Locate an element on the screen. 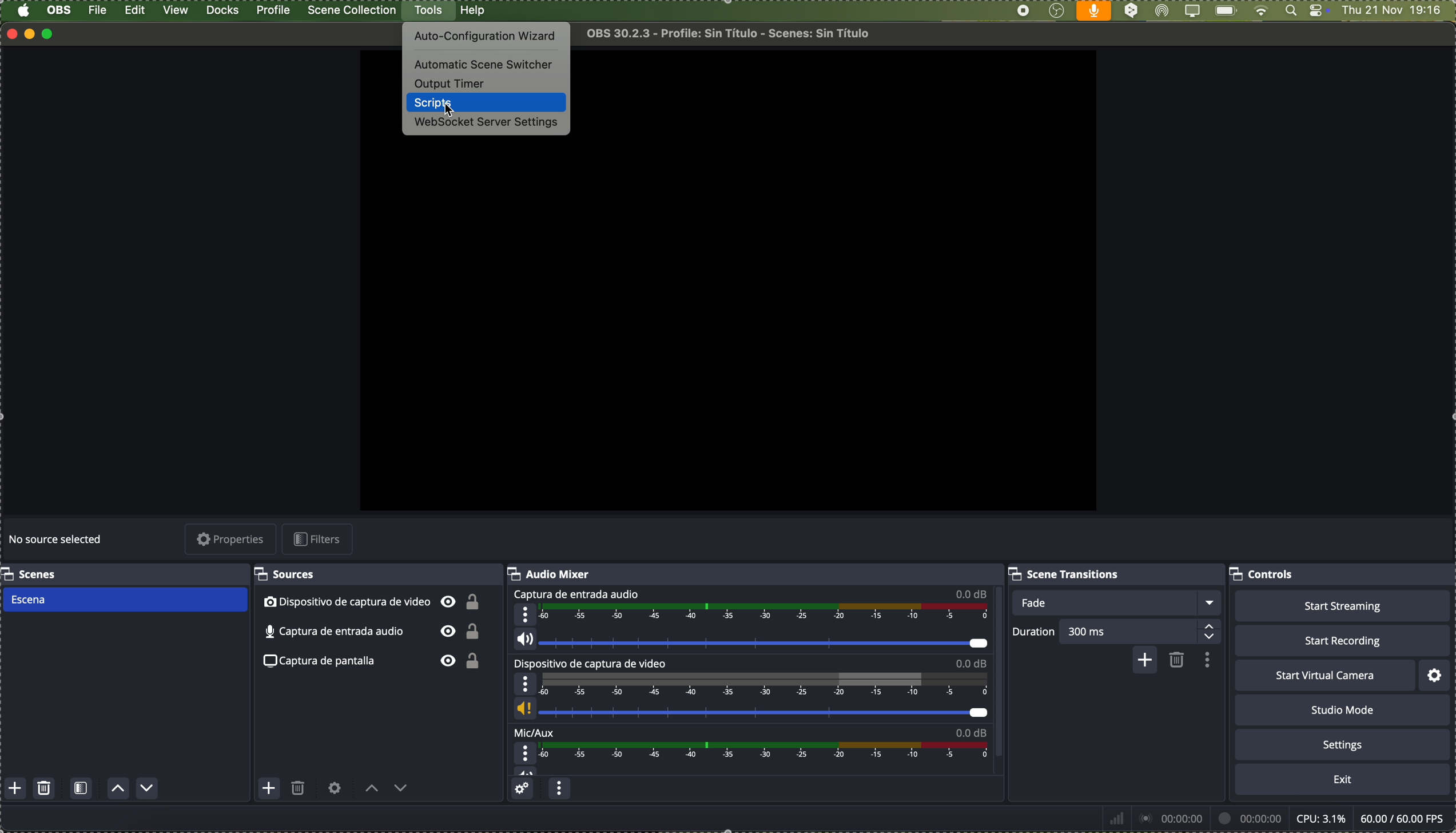 The image size is (1456, 833). move scene down is located at coordinates (148, 788).